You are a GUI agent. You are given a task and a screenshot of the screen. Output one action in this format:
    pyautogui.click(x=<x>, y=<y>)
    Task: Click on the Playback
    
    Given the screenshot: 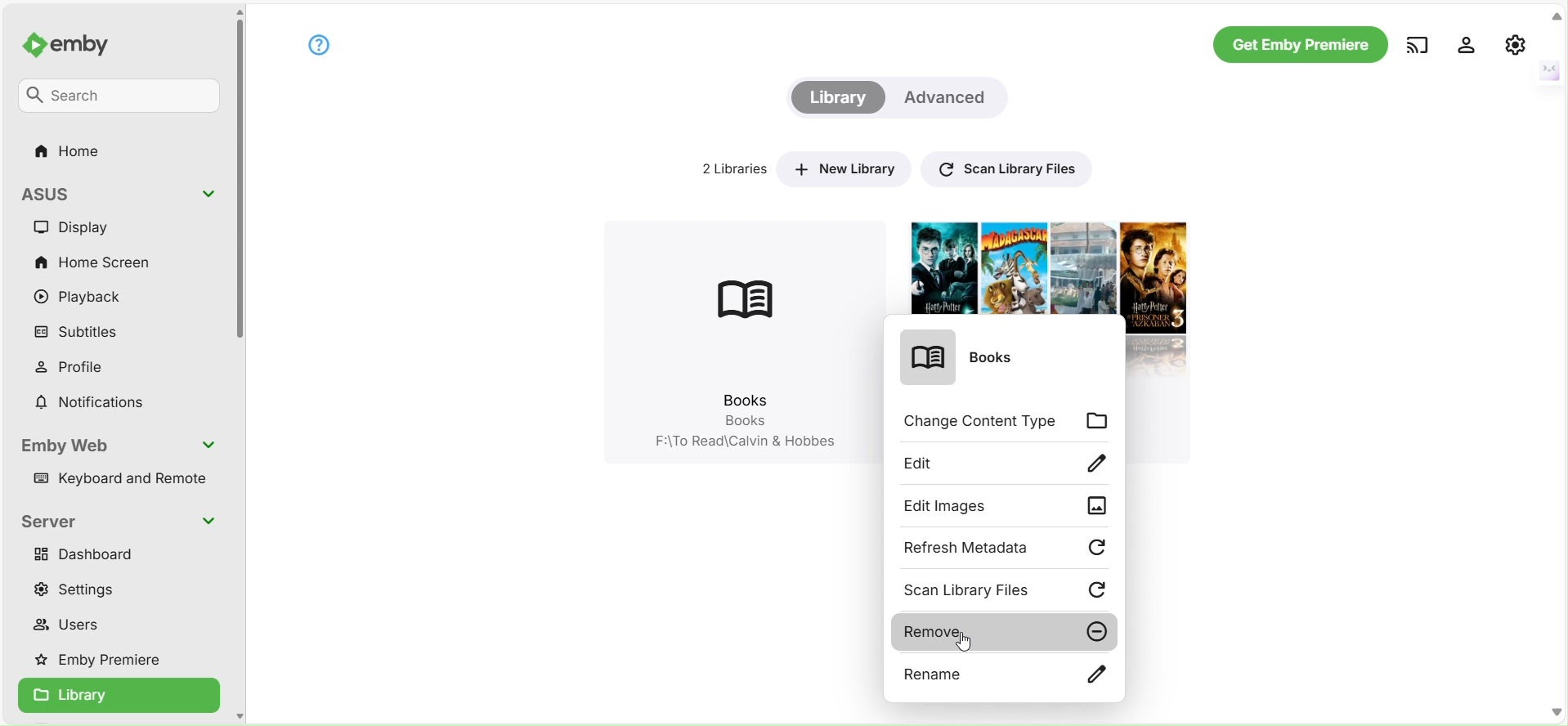 What is the action you would take?
    pyautogui.click(x=83, y=298)
    